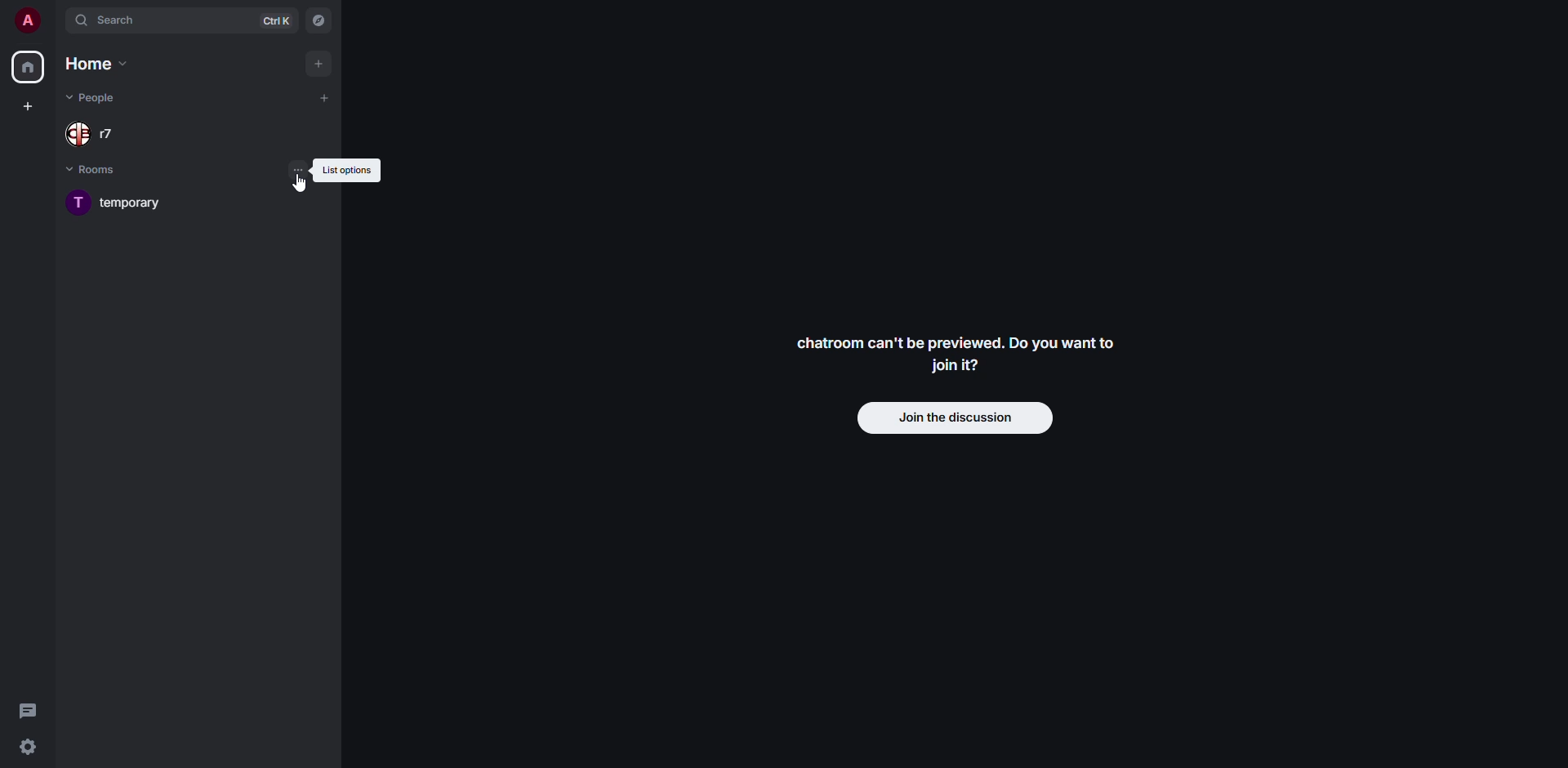  I want to click on people, so click(96, 135).